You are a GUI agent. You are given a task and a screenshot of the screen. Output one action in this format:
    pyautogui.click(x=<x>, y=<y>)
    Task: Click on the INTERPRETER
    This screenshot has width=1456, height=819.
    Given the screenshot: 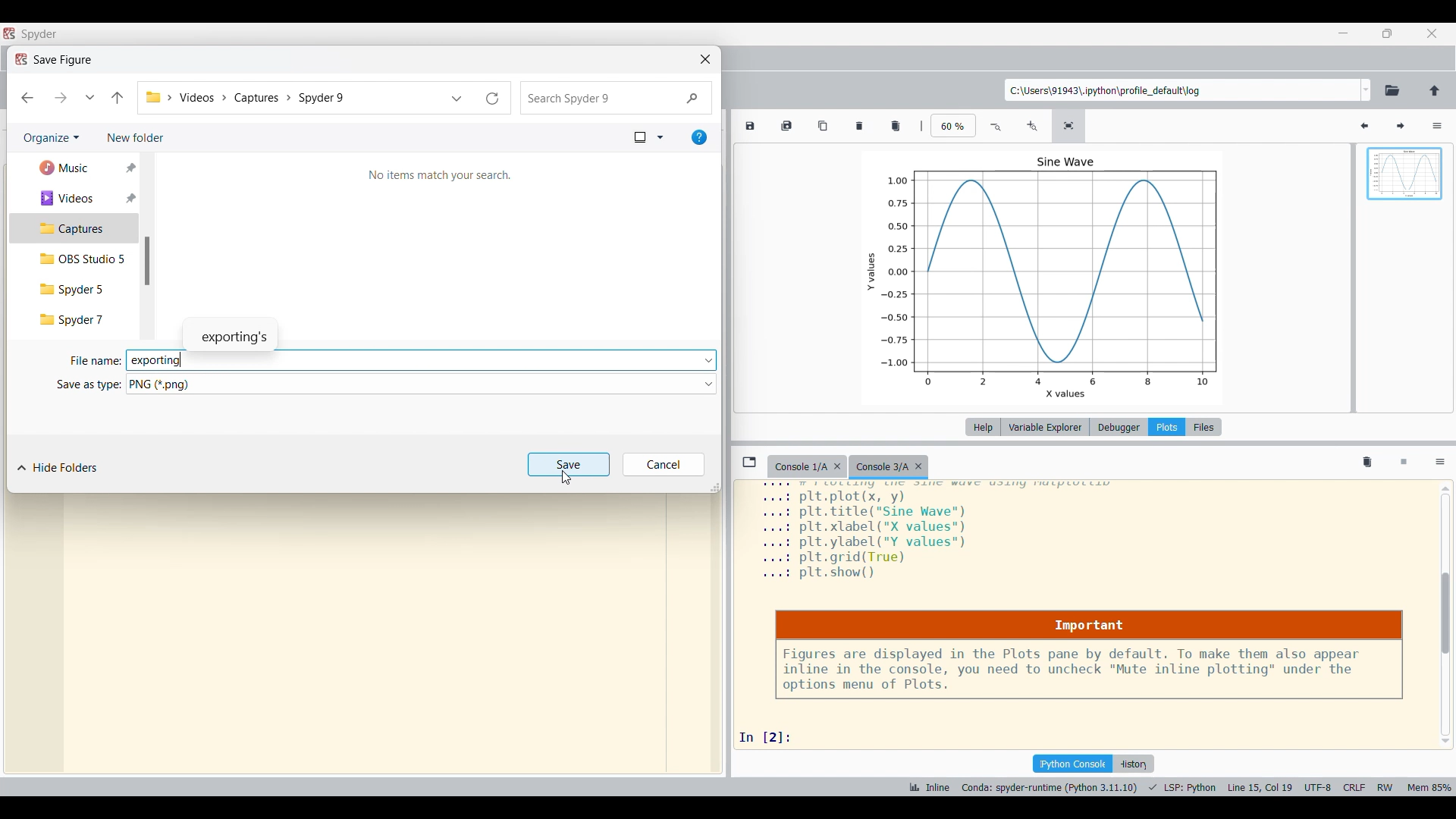 What is the action you would take?
    pyautogui.click(x=1050, y=787)
    